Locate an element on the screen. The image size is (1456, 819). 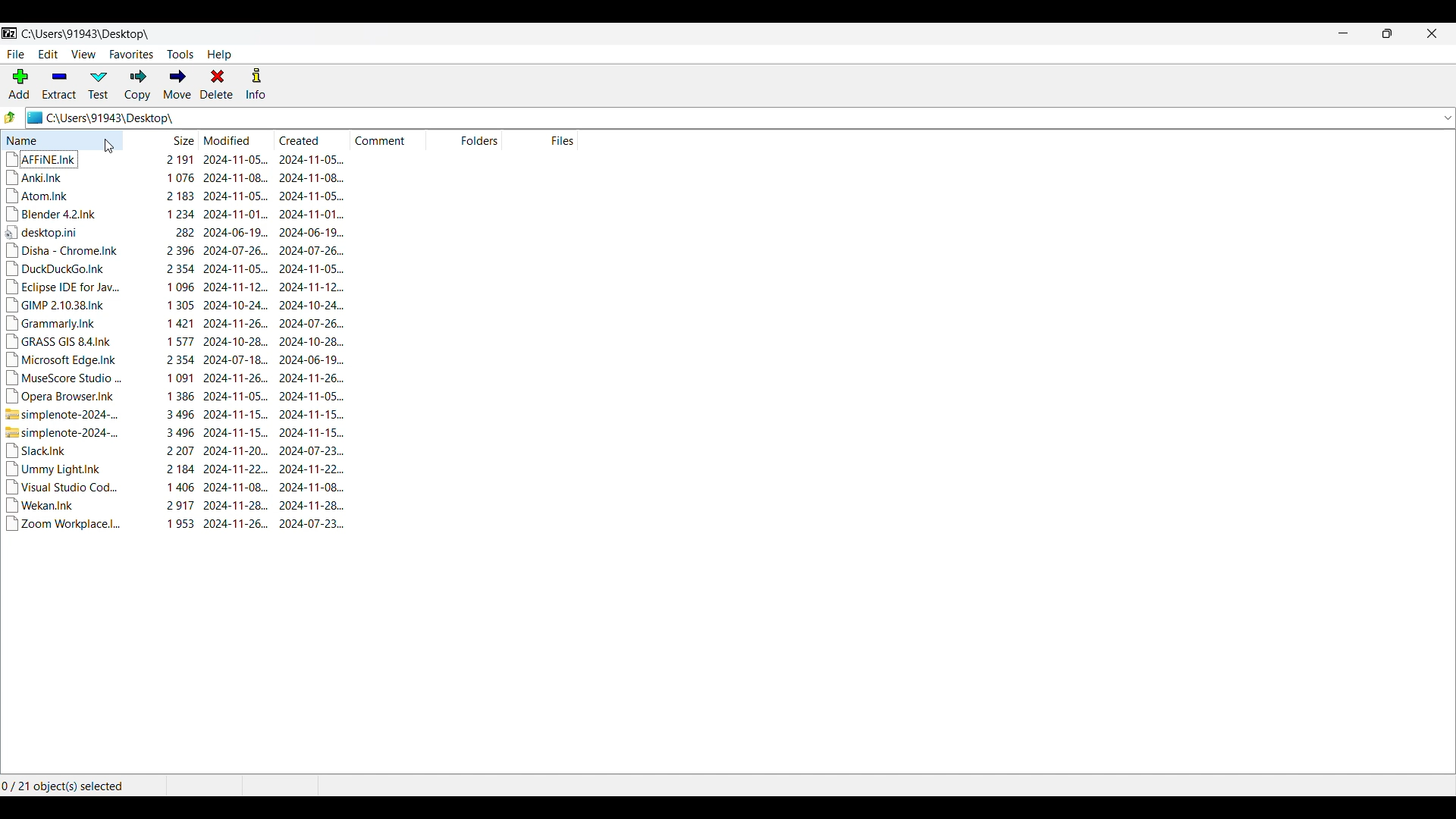
Resize is located at coordinates (1388, 33).